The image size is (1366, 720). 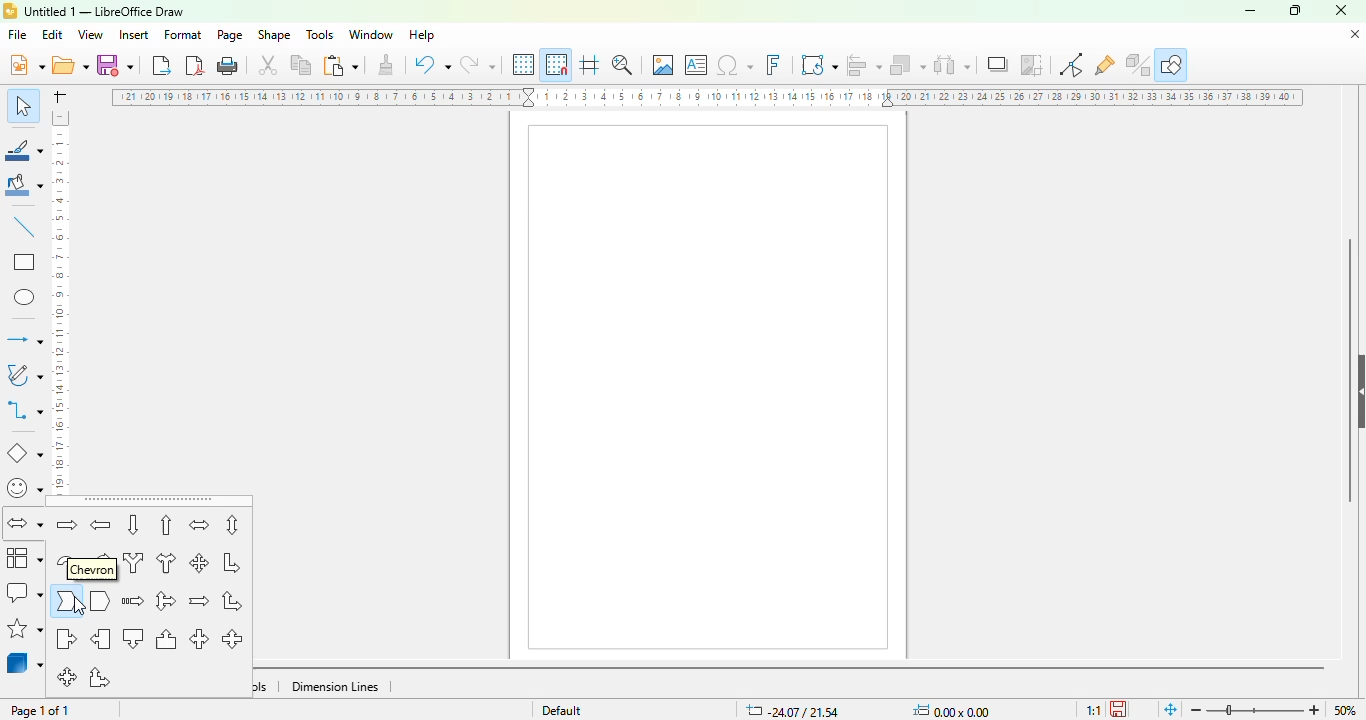 I want to click on shape, so click(x=274, y=34).